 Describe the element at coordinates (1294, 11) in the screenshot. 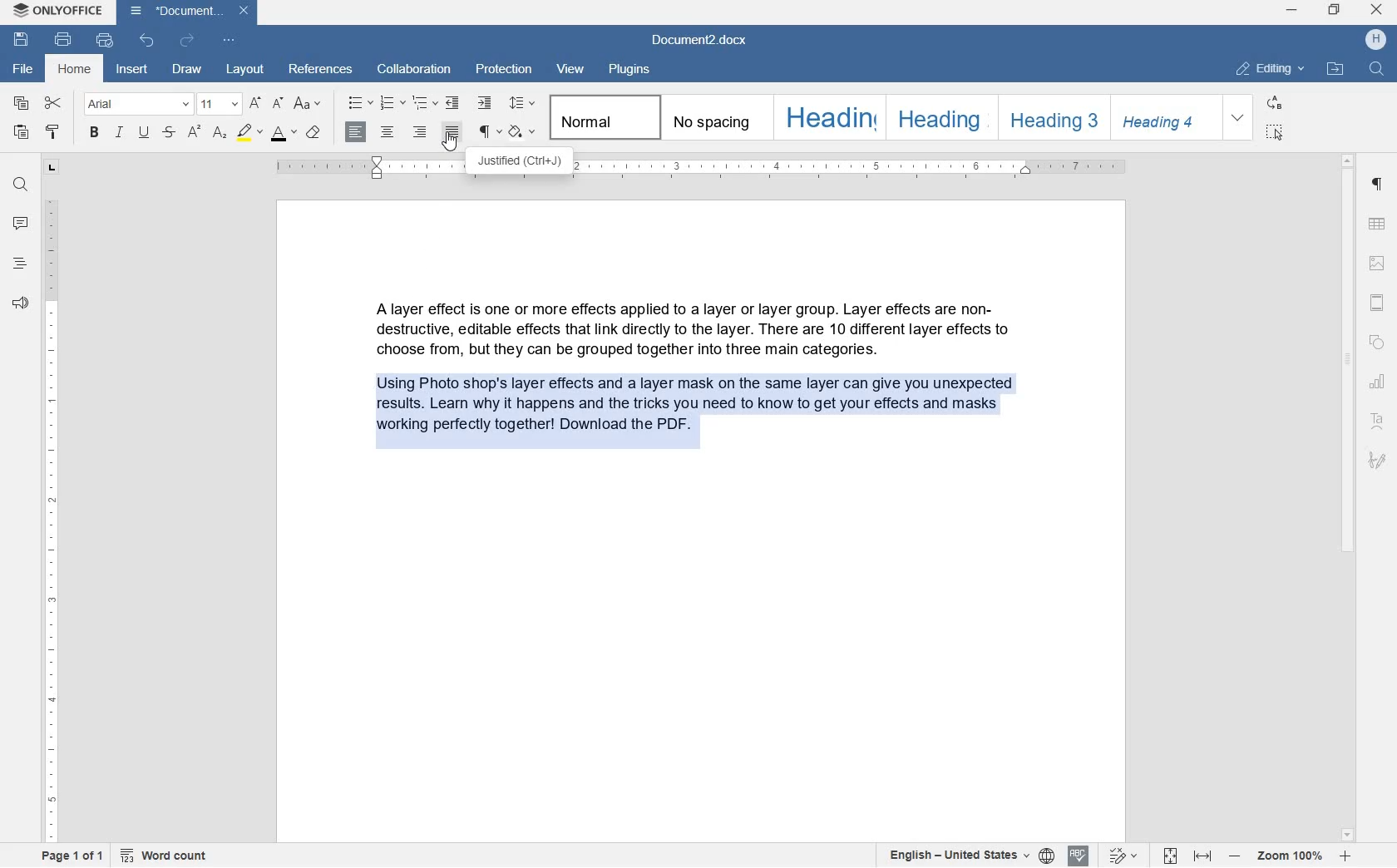

I see `minimize` at that location.